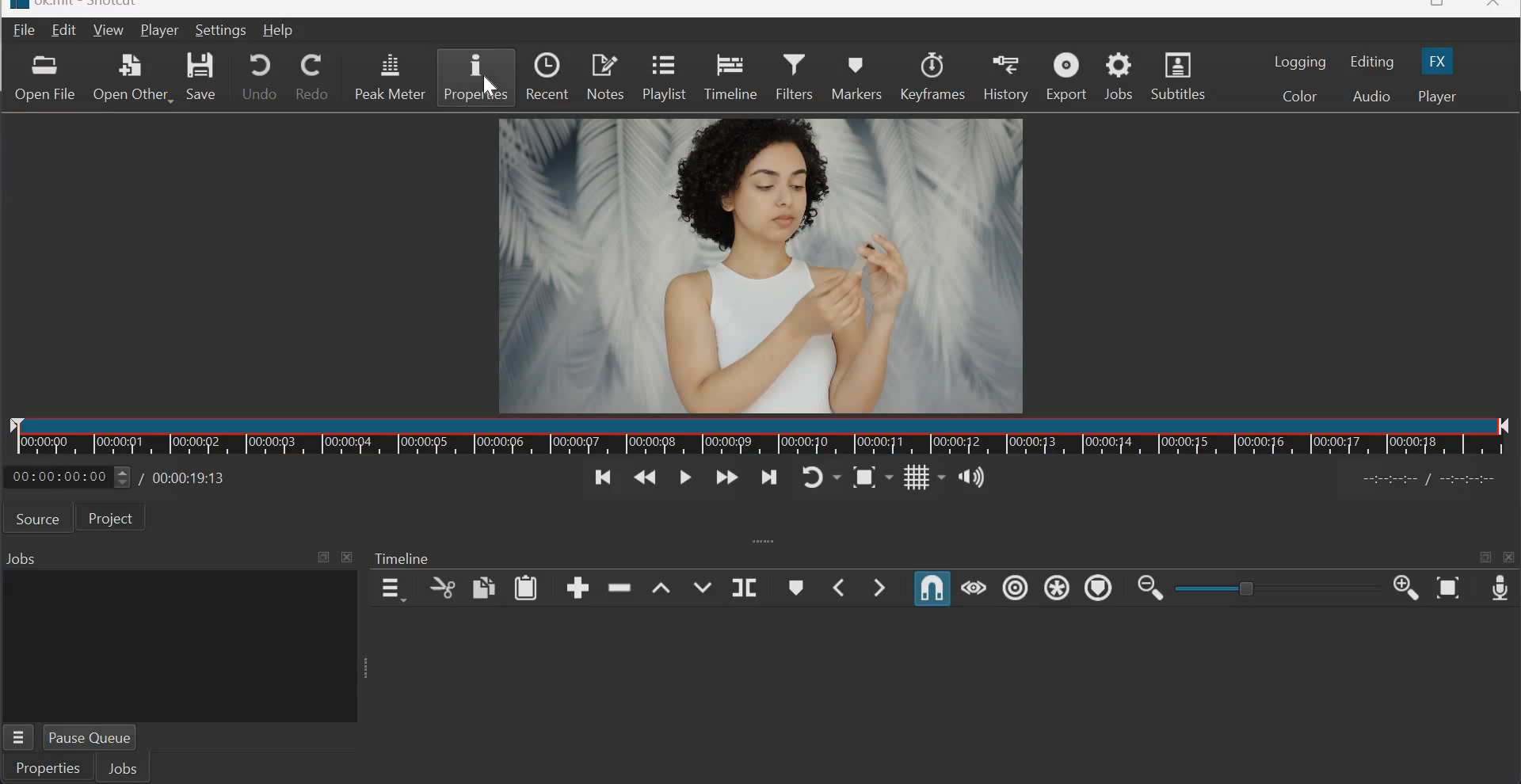  I want to click on Color, so click(1298, 95).